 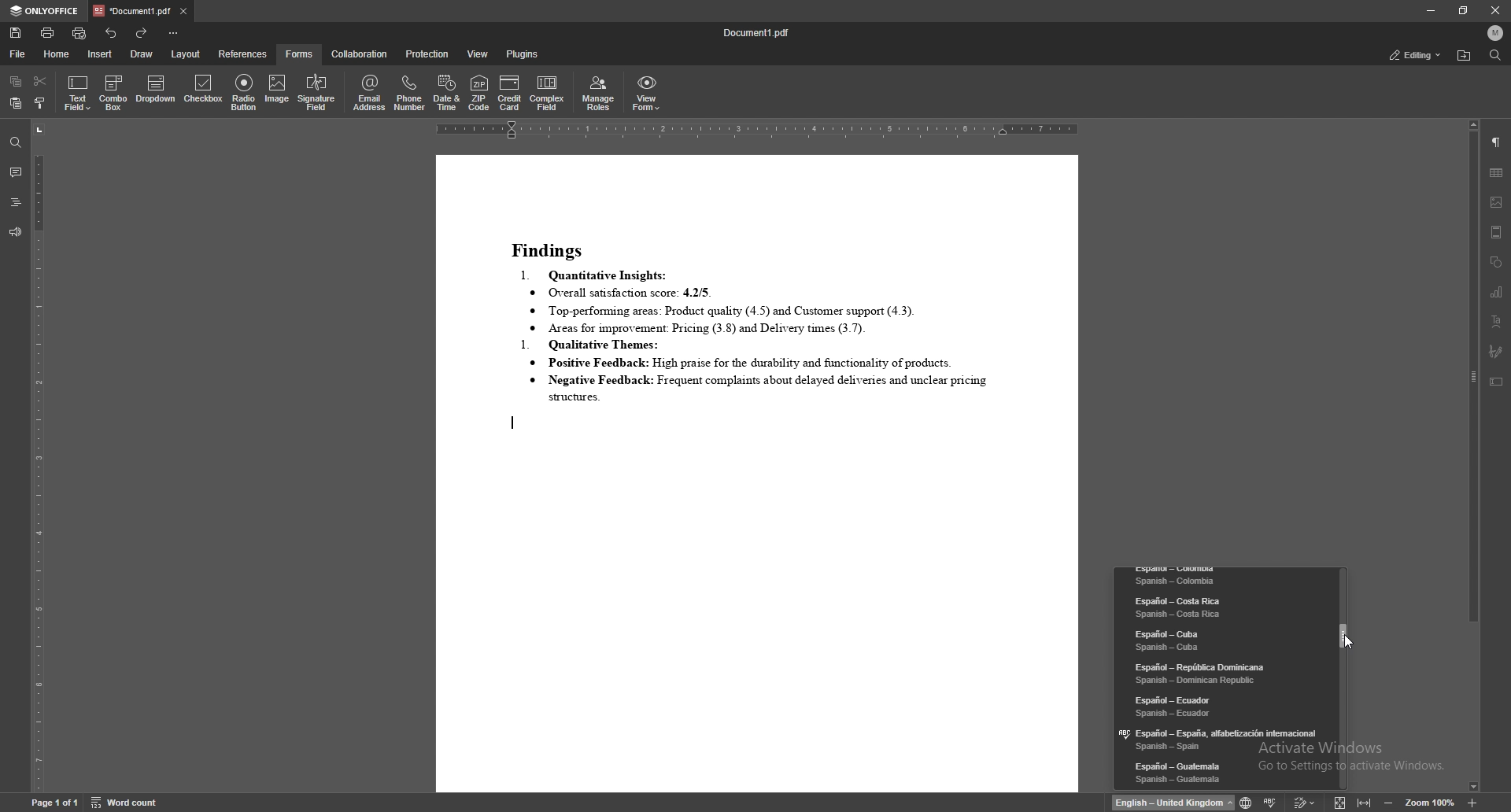 What do you see at coordinates (1223, 739) in the screenshot?
I see `language` at bounding box center [1223, 739].